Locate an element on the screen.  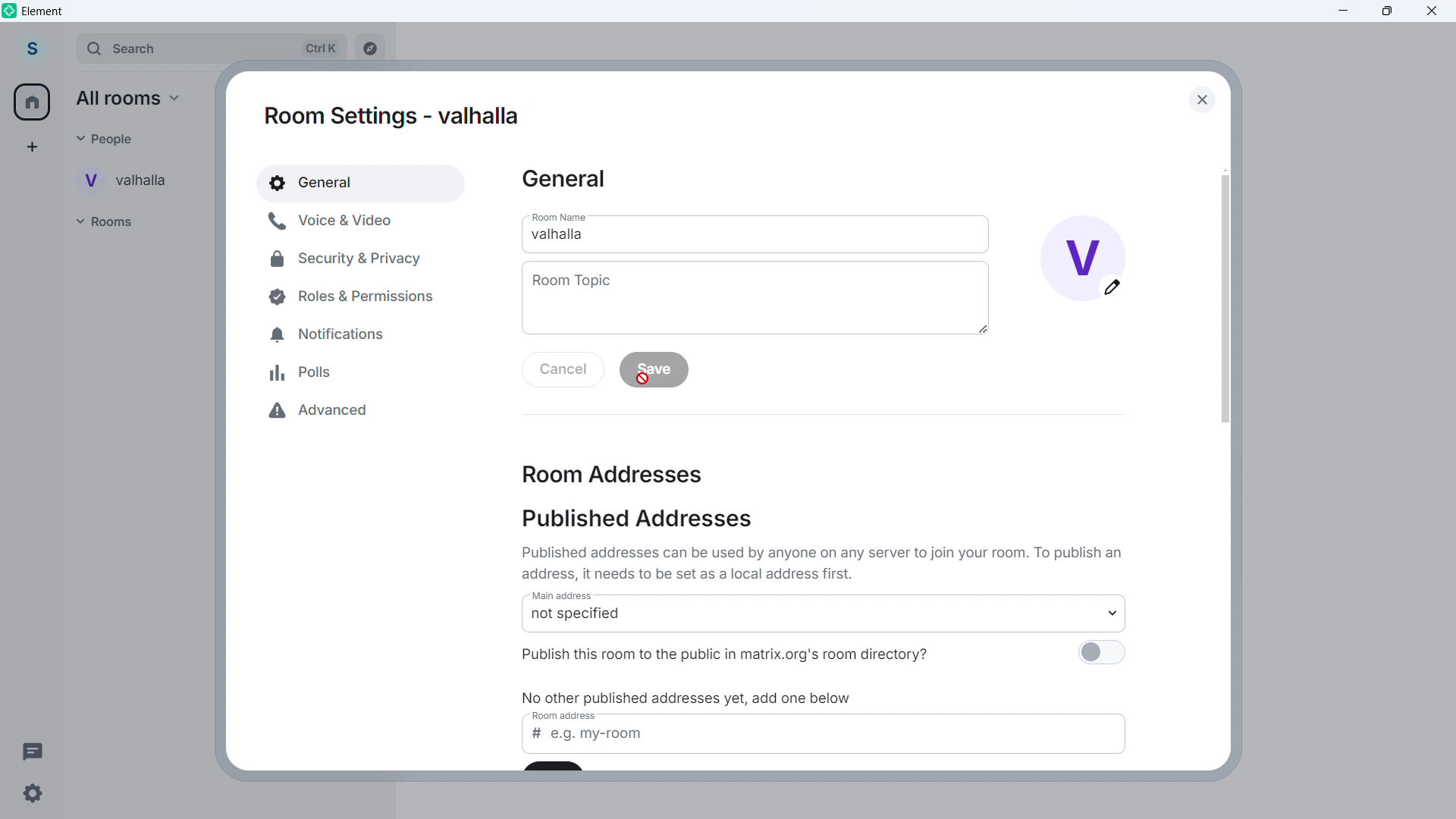
Scroll bar  is located at coordinates (1224, 298).